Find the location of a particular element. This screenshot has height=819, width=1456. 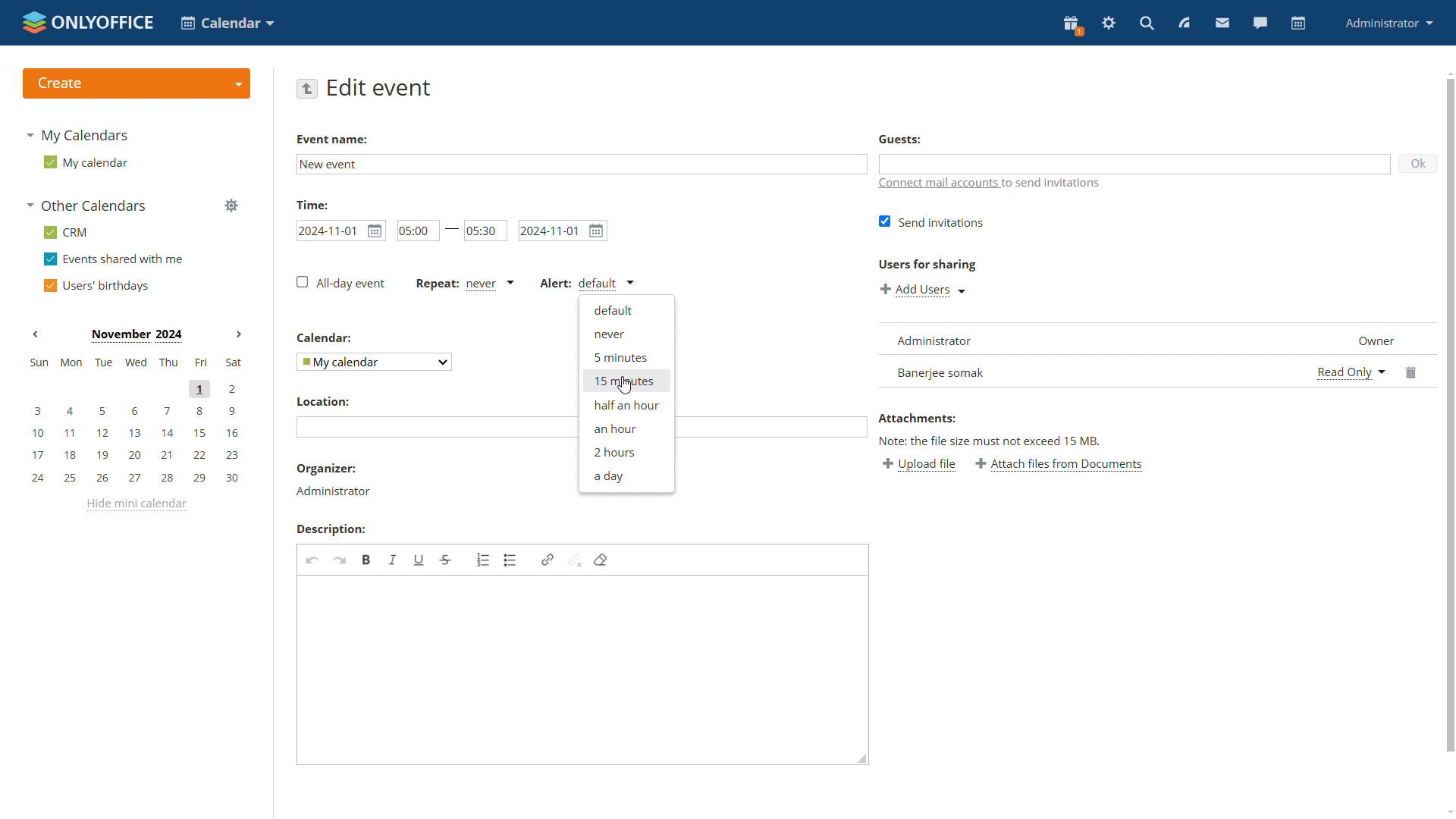

hide mini calendar is located at coordinates (136, 505).